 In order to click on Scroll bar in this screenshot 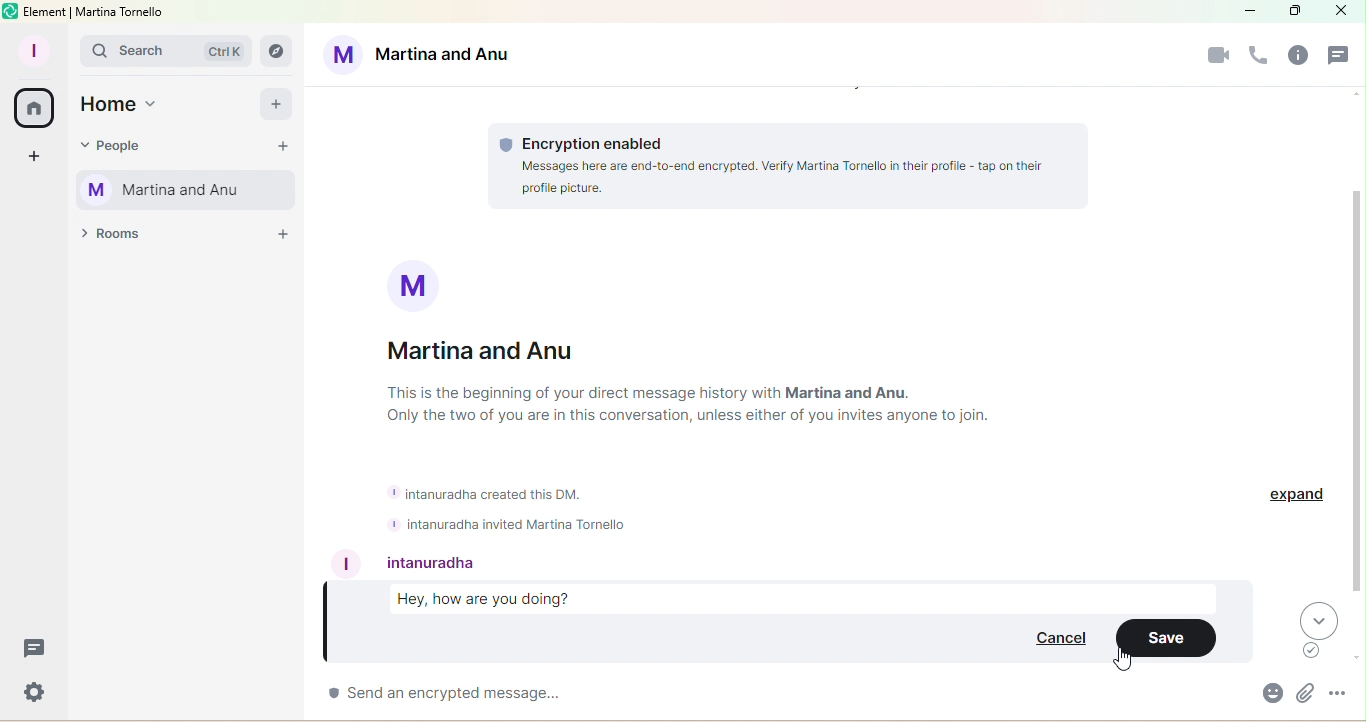, I will do `click(1358, 395)`.